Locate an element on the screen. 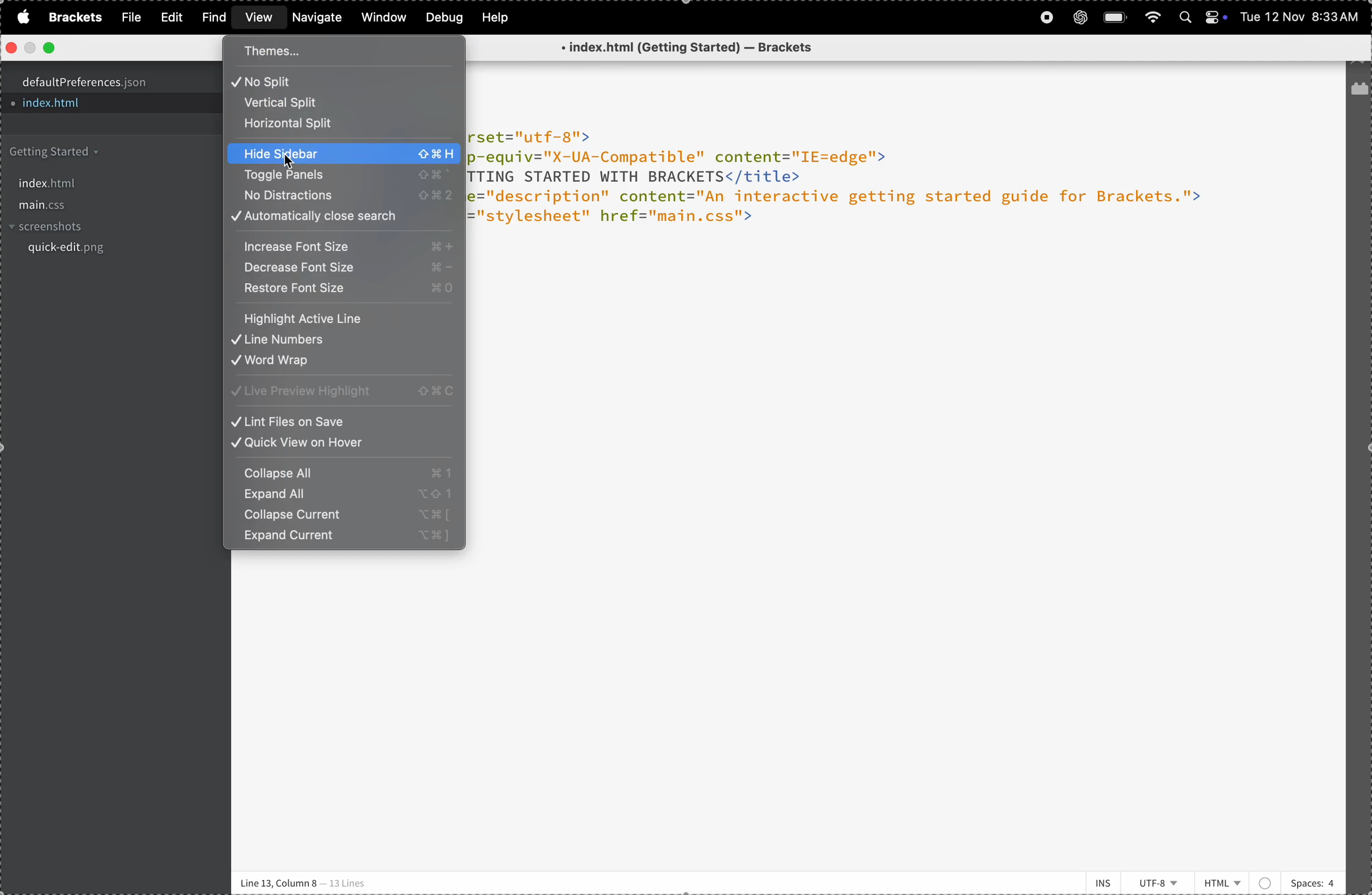  expand all is located at coordinates (344, 495).